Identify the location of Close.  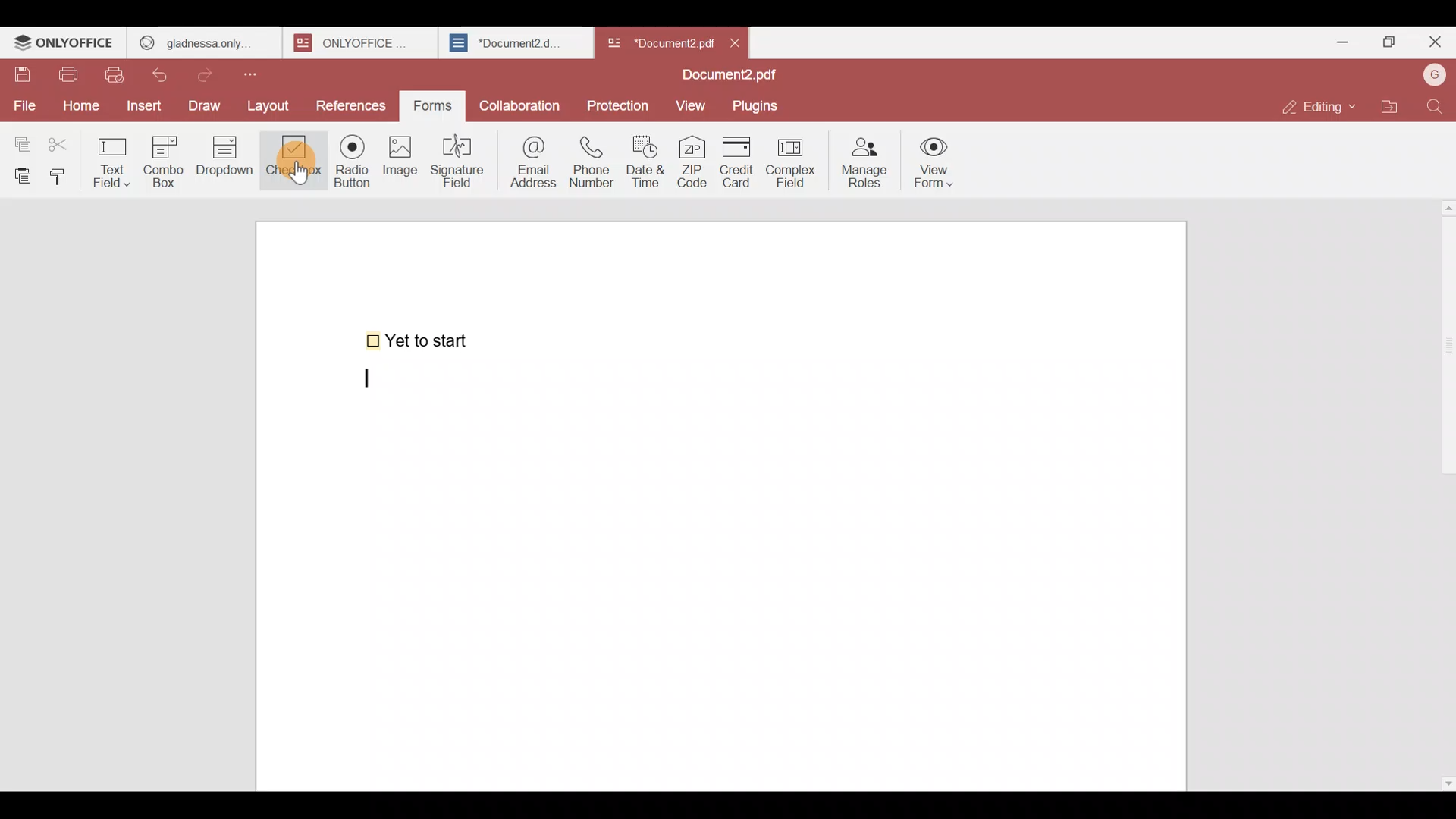
(1434, 45).